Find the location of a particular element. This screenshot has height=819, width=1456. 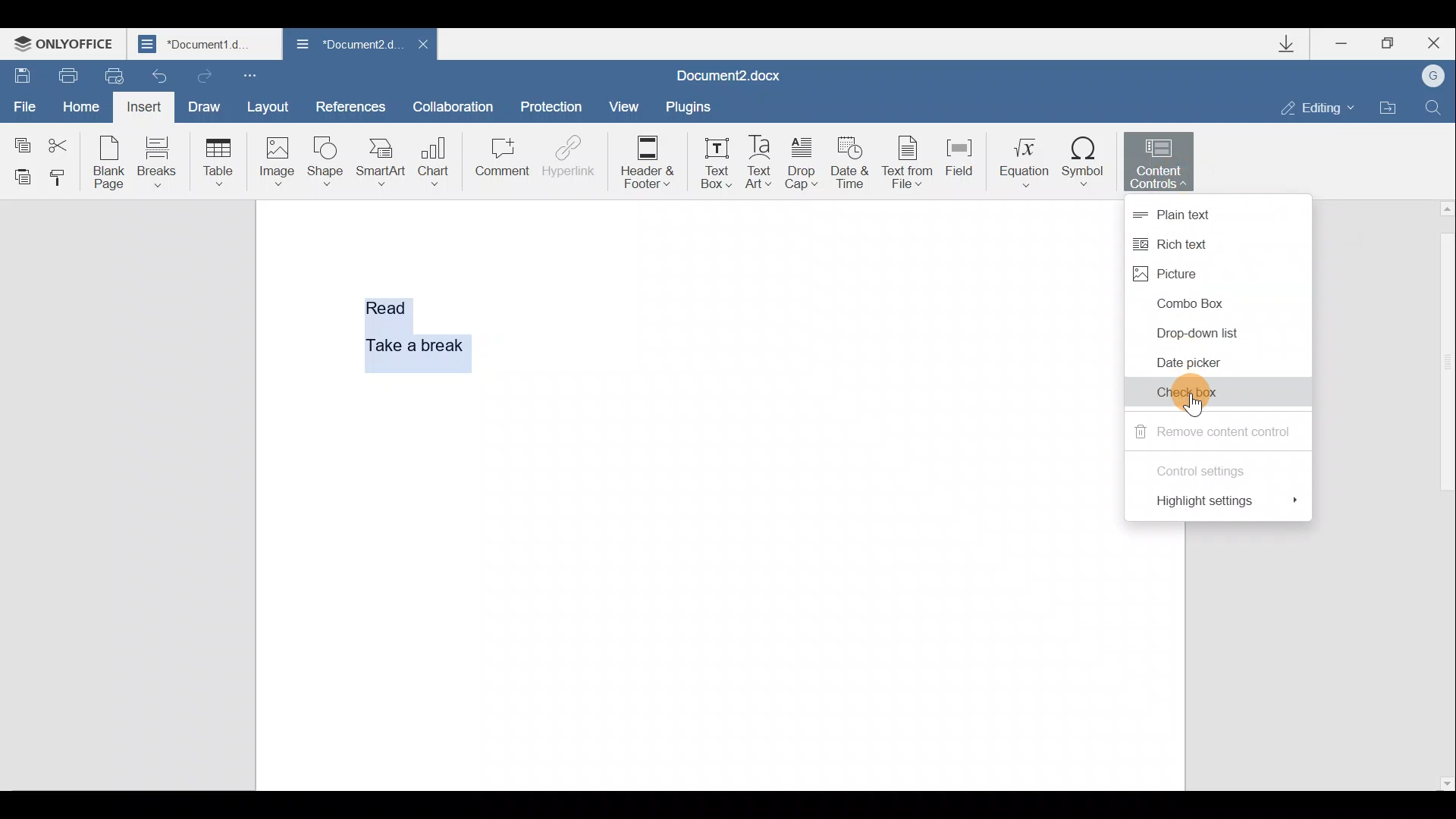

Cursor on Checkbox is located at coordinates (1196, 405).